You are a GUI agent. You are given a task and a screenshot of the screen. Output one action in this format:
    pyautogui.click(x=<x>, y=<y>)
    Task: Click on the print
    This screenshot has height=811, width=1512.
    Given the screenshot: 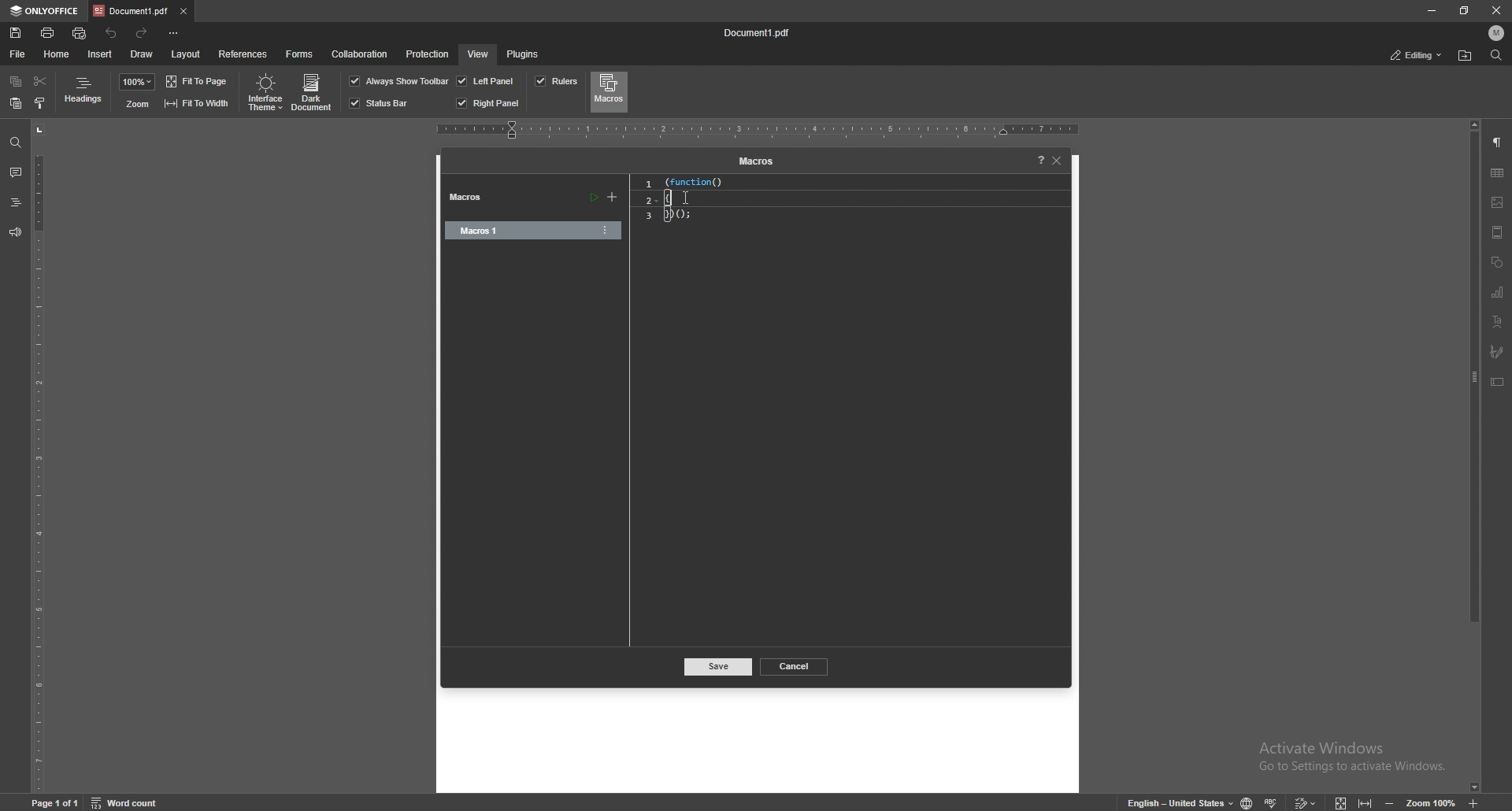 What is the action you would take?
    pyautogui.click(x=48, y=31)
    